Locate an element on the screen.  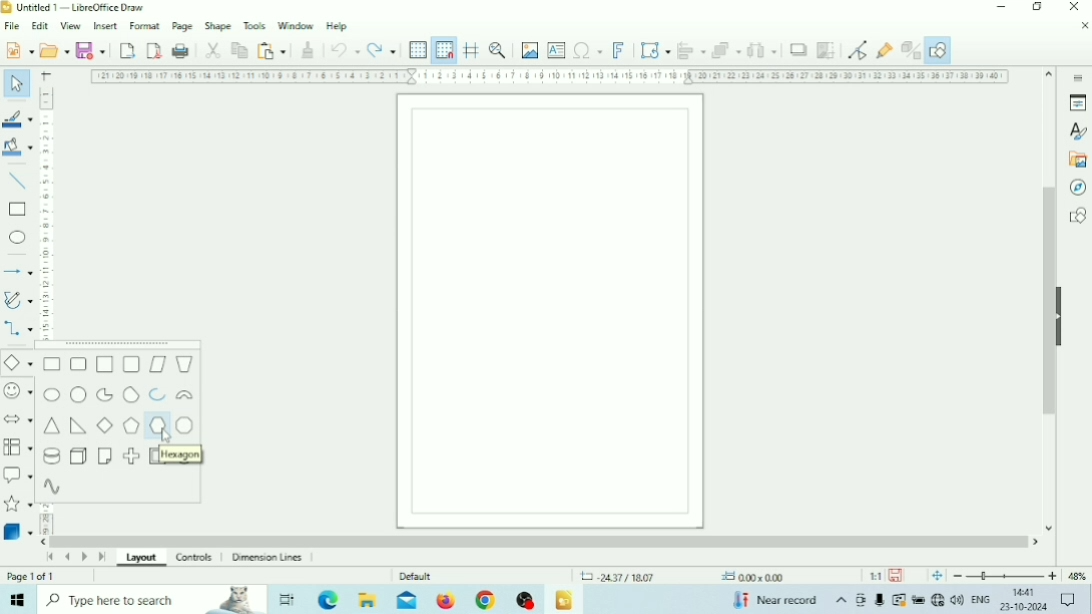
Google Chrome is located at coordinates (484, 600).